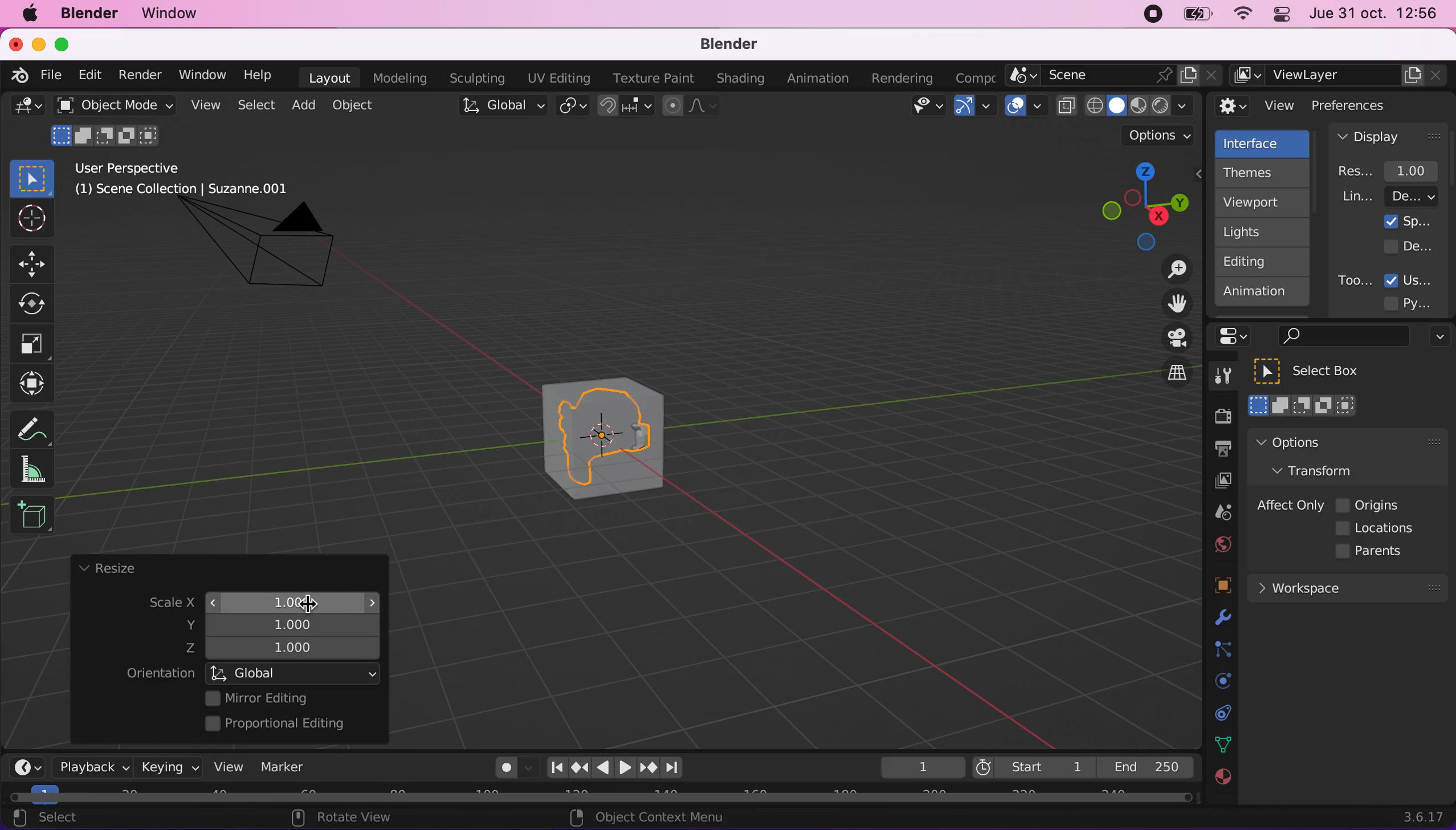 This screenshot has width=1456, height=830. What do you see at coordinates (295, 673) in the screenshot?
I see `global` at bounding box center [295, 673].